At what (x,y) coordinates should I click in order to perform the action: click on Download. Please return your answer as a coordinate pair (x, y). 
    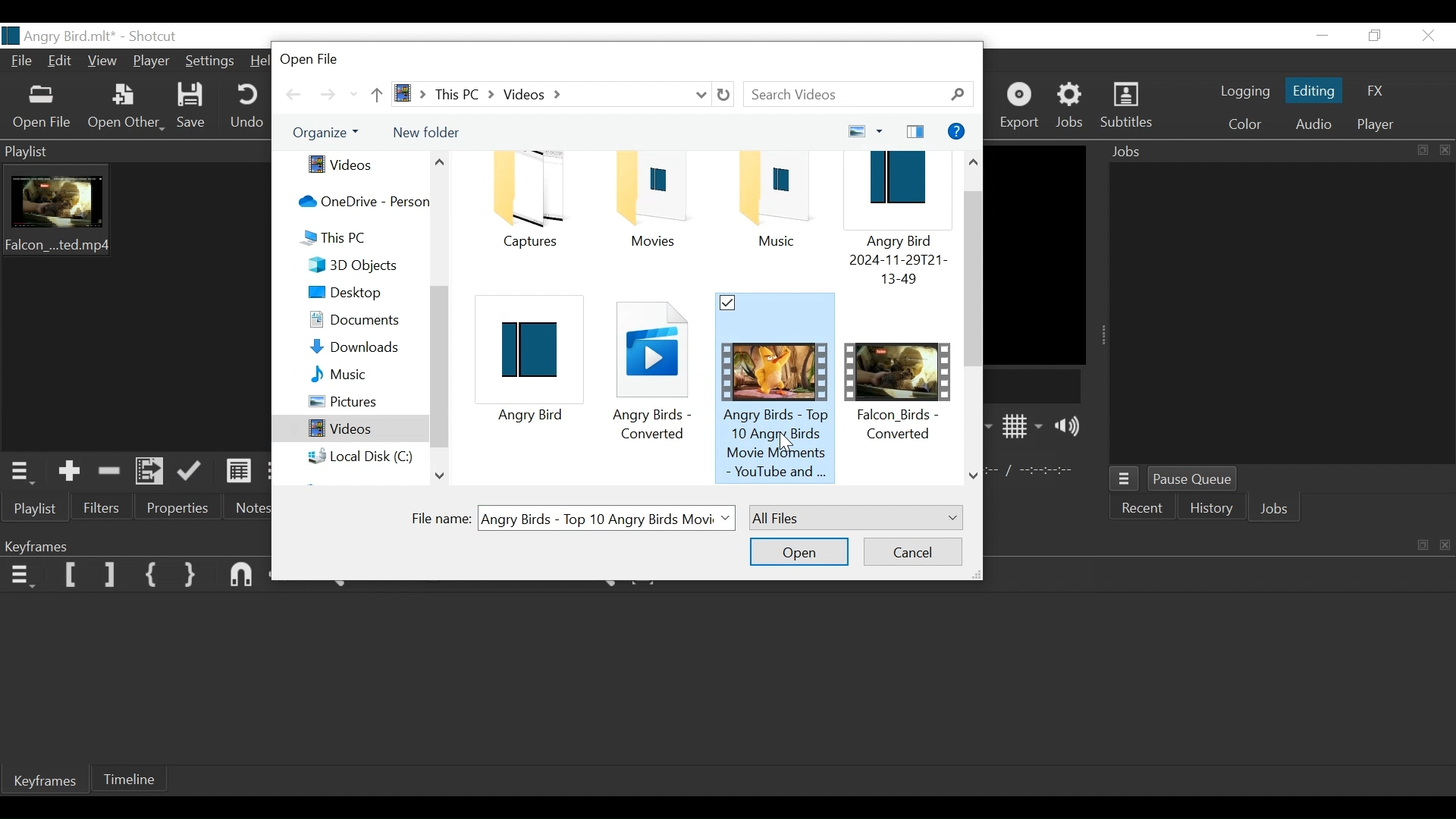
    Looking at the image, I should click on (363, 349).